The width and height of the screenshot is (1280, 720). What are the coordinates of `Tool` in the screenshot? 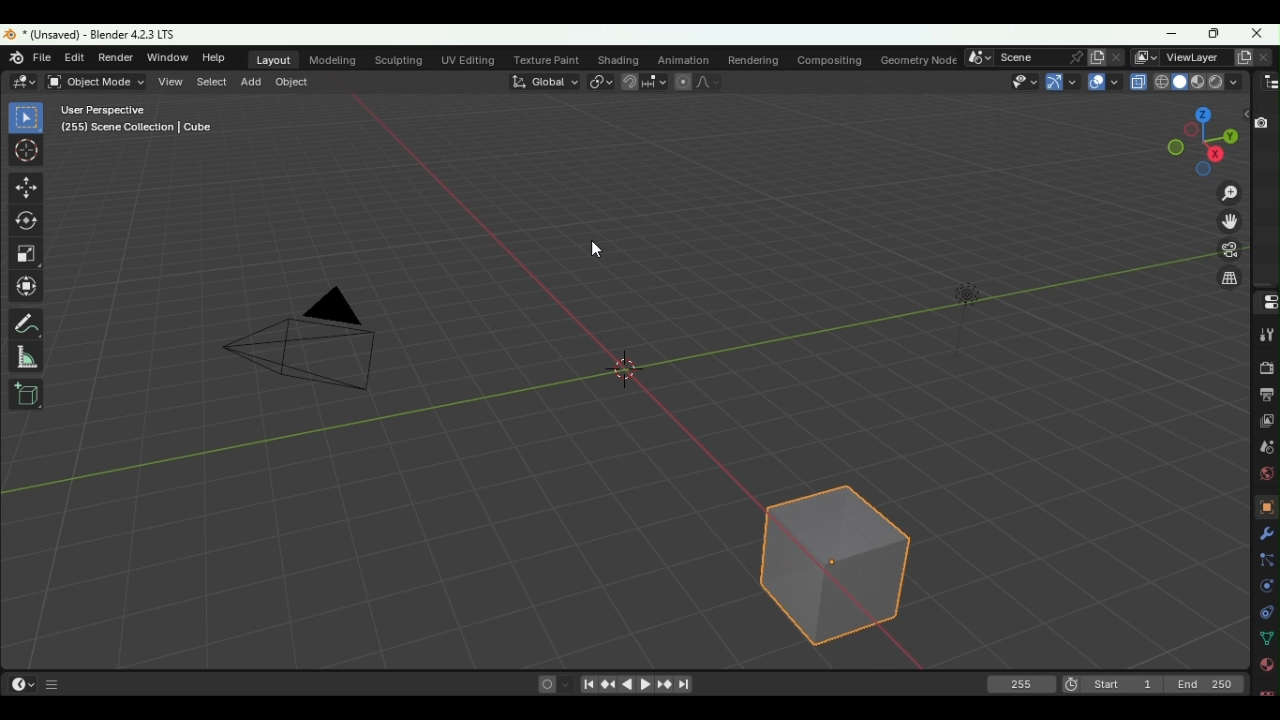 It's located at (1262, 335).